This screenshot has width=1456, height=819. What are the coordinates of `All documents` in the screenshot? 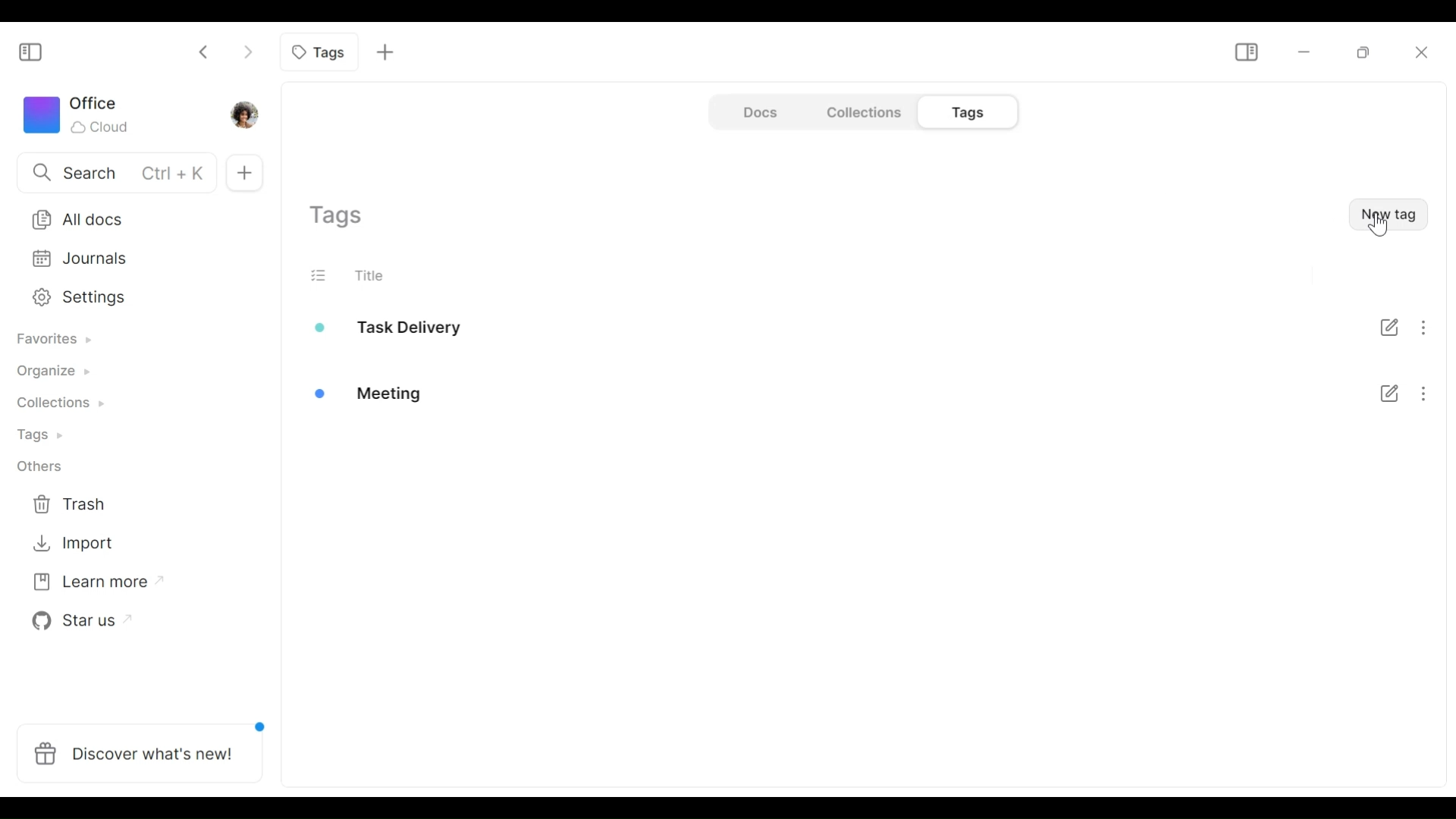 It's located at (135, 220).